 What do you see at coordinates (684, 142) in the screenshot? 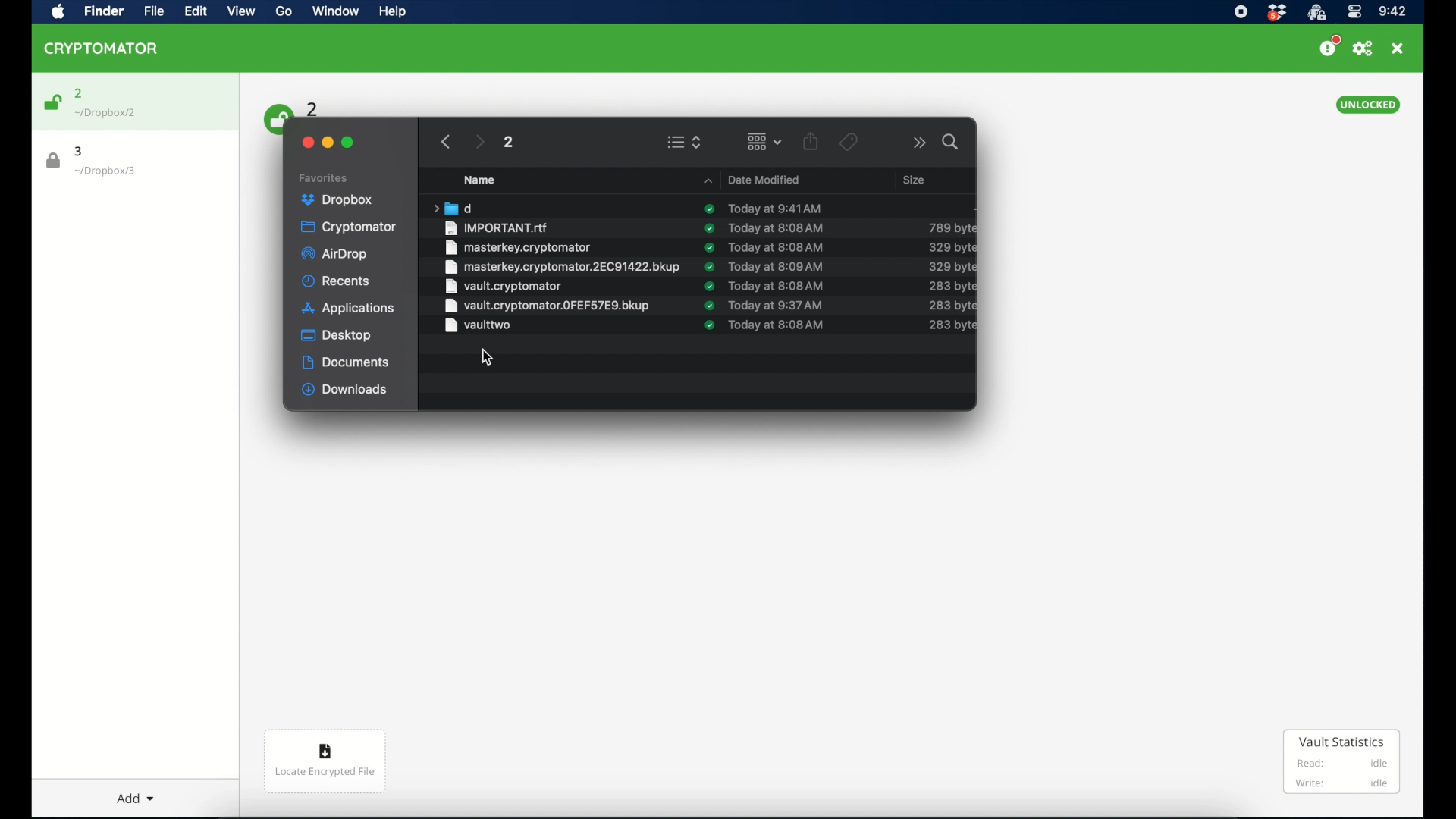
I see `view options` at bounding box center [684, 142].